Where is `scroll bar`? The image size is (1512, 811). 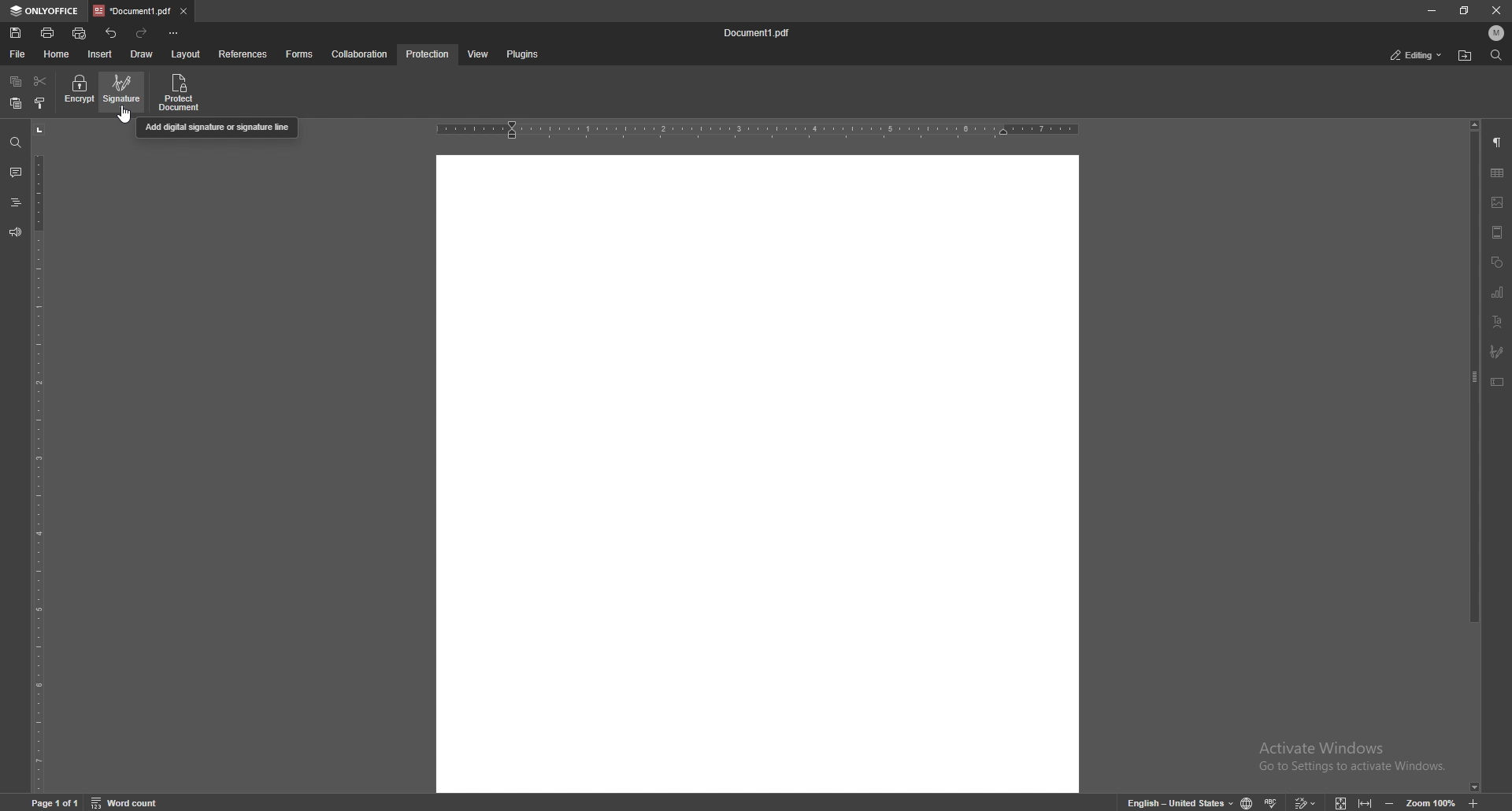 scroll bar is located at coordinates (1475, 457).